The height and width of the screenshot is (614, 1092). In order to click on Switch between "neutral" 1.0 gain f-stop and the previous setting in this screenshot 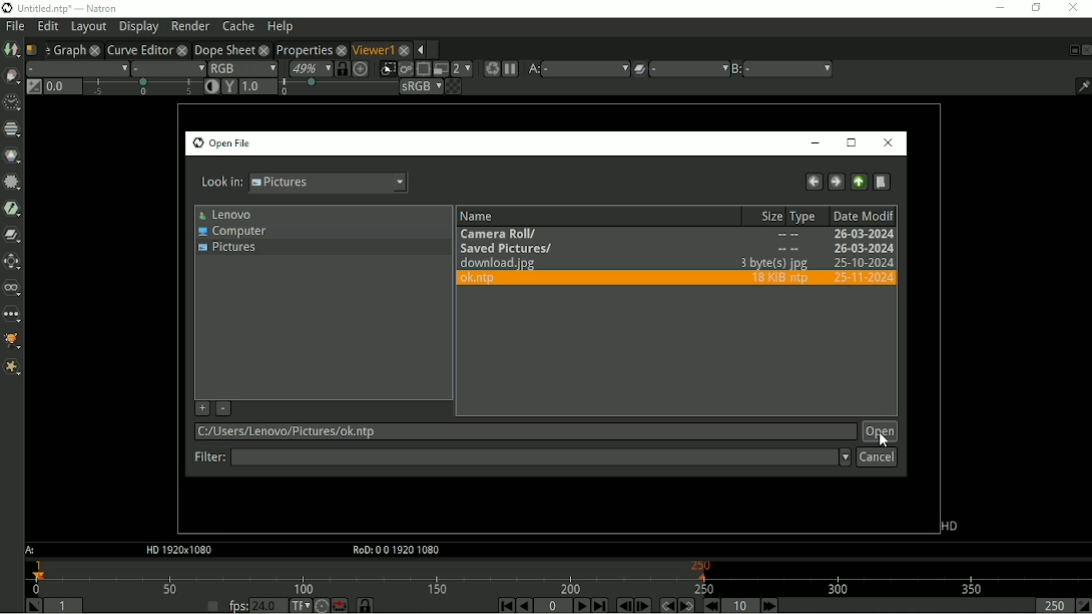, I will do `click(32, 86)`.